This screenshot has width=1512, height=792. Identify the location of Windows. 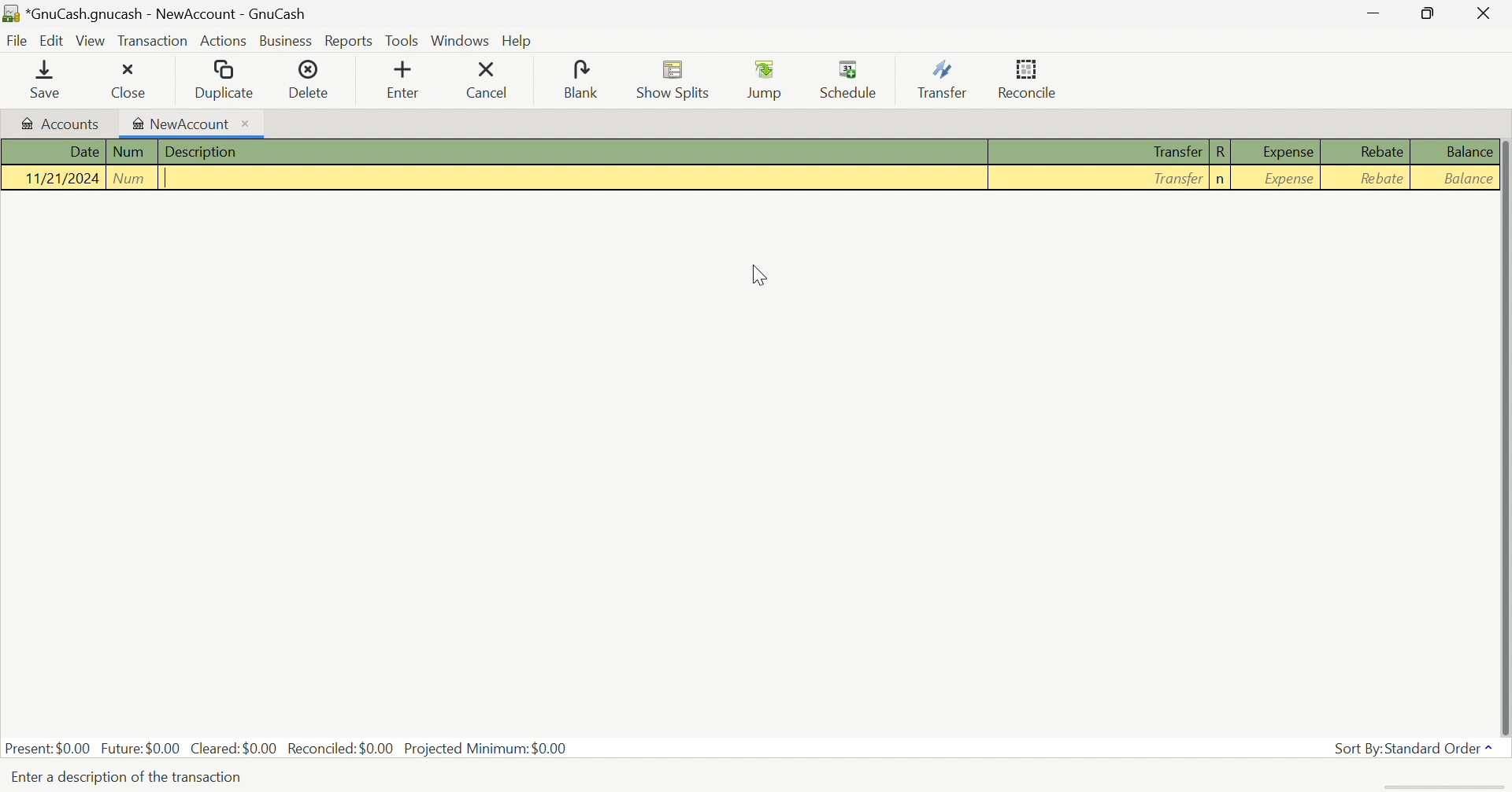
(461, 40).